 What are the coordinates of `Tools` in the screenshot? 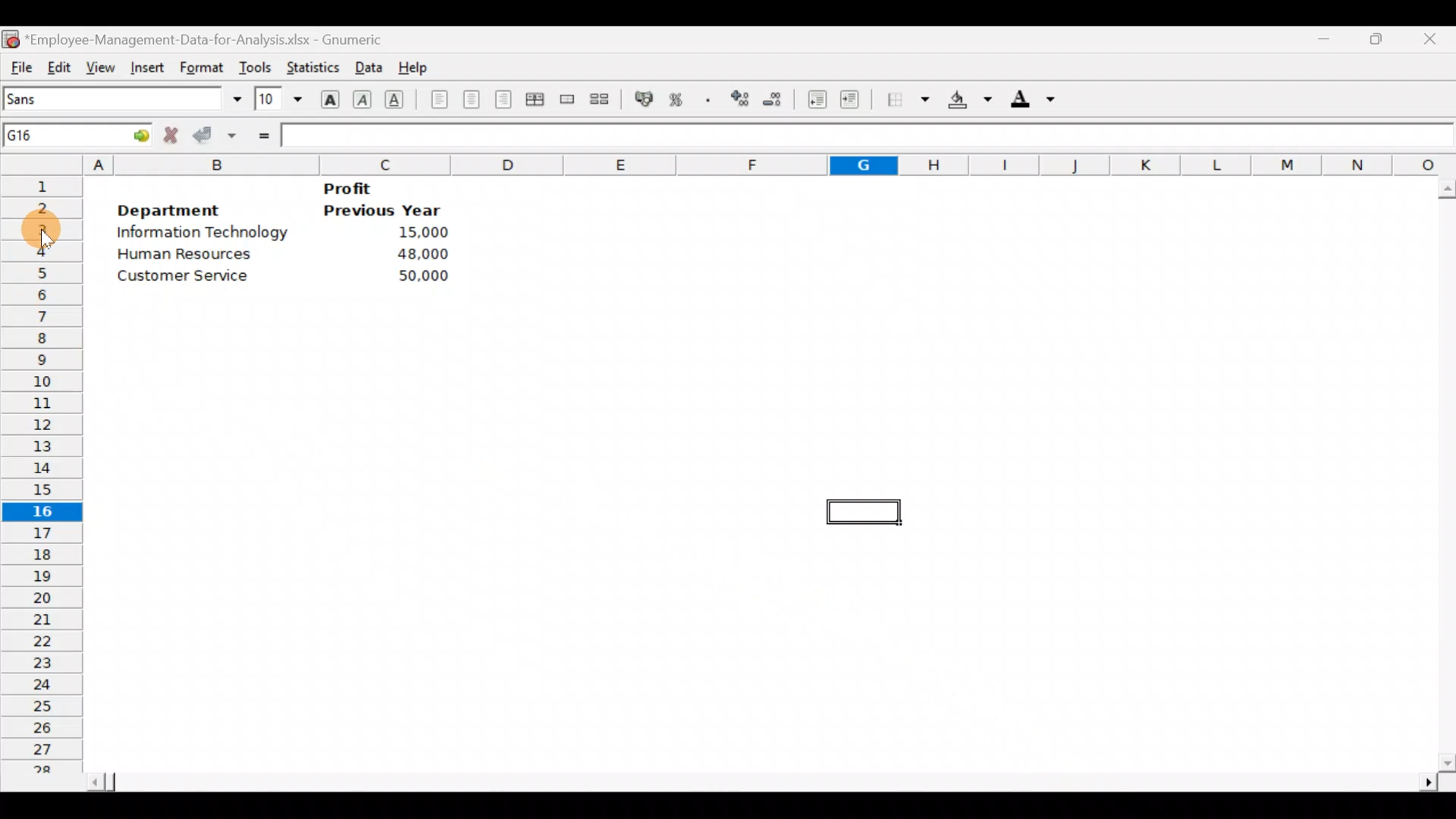 It's located at (255, 64).